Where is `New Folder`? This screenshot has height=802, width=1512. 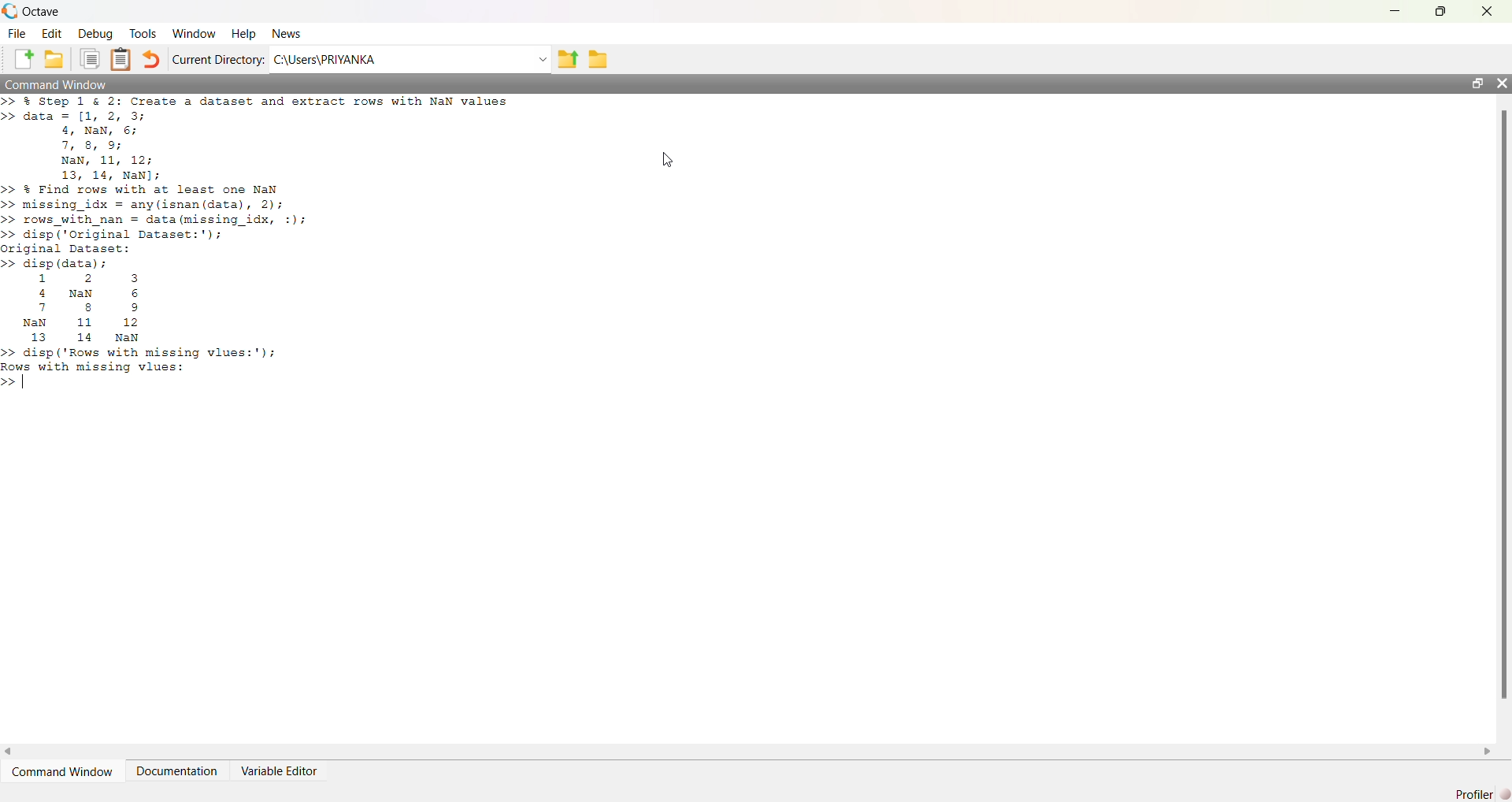
New Folder is located at coordinates (54, 59).